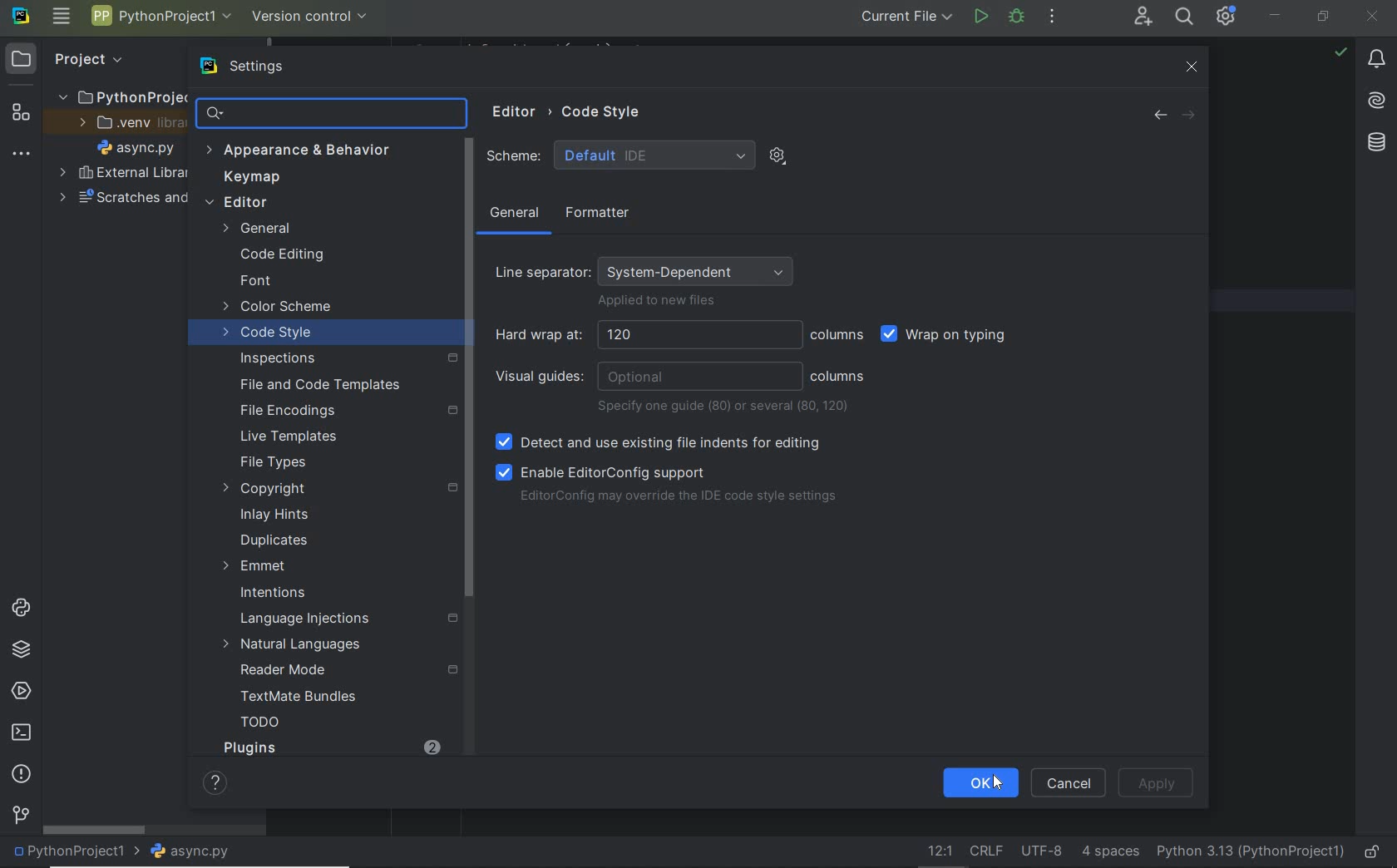 Image resolution: width=1397 pixels, height=868 pixels. I want to click on no problem, so click(1340, 52).